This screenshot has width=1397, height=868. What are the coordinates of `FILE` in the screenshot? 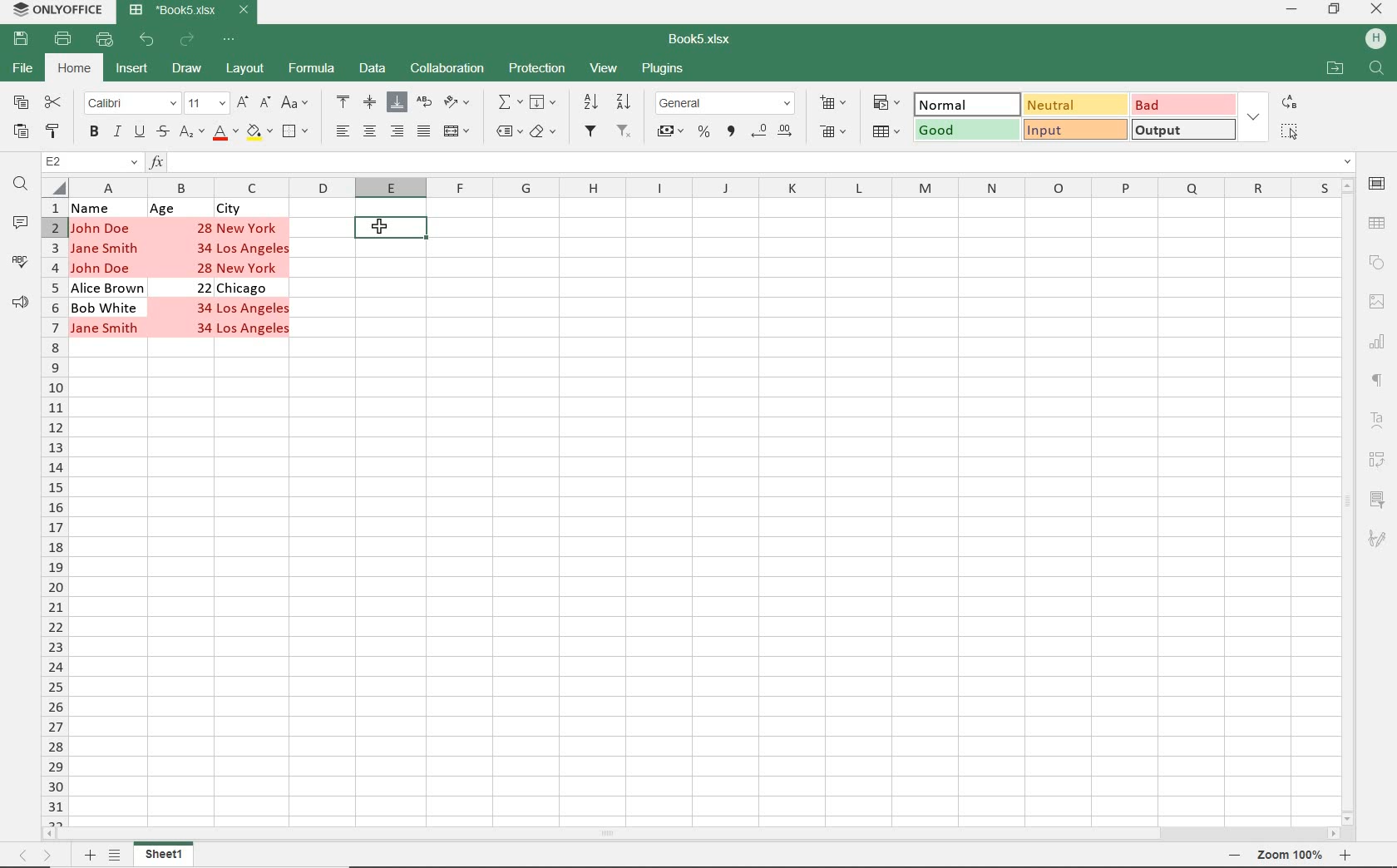 It's located at (26, 70).